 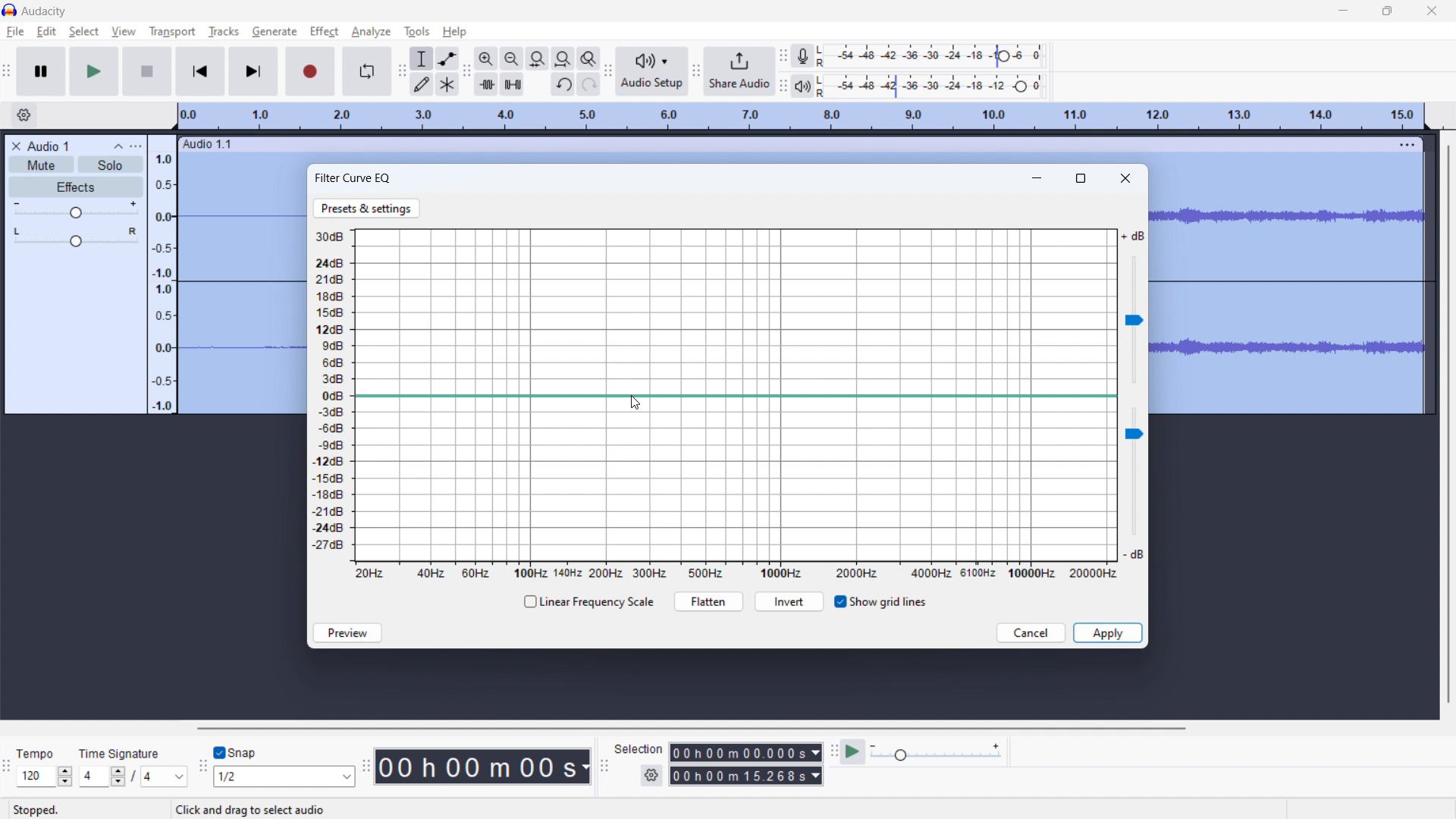 What do you see at coordinates (338, 31) in the screenshot?
I see `cursor` at bounding box center [338, 31].